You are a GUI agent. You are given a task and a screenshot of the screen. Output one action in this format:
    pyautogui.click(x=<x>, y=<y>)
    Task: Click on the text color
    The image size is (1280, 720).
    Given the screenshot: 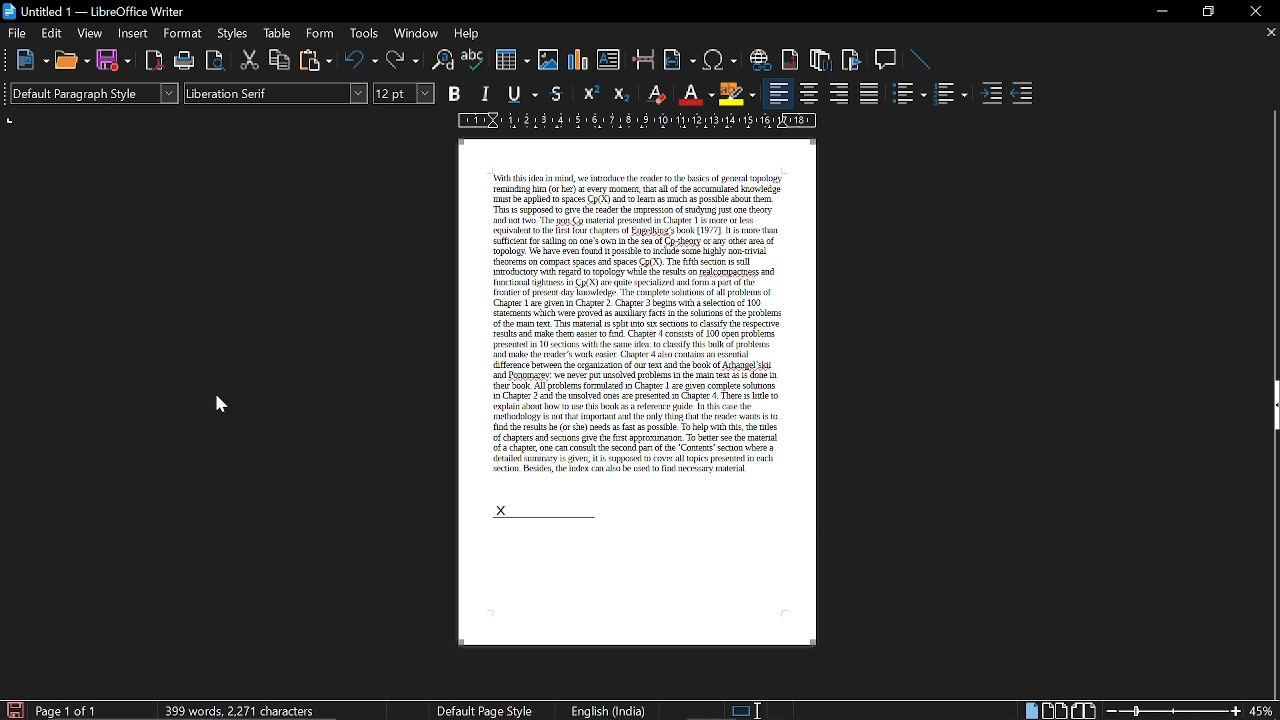 What is the action you would take?
    pyautogui.click(x=698, y=94)
    